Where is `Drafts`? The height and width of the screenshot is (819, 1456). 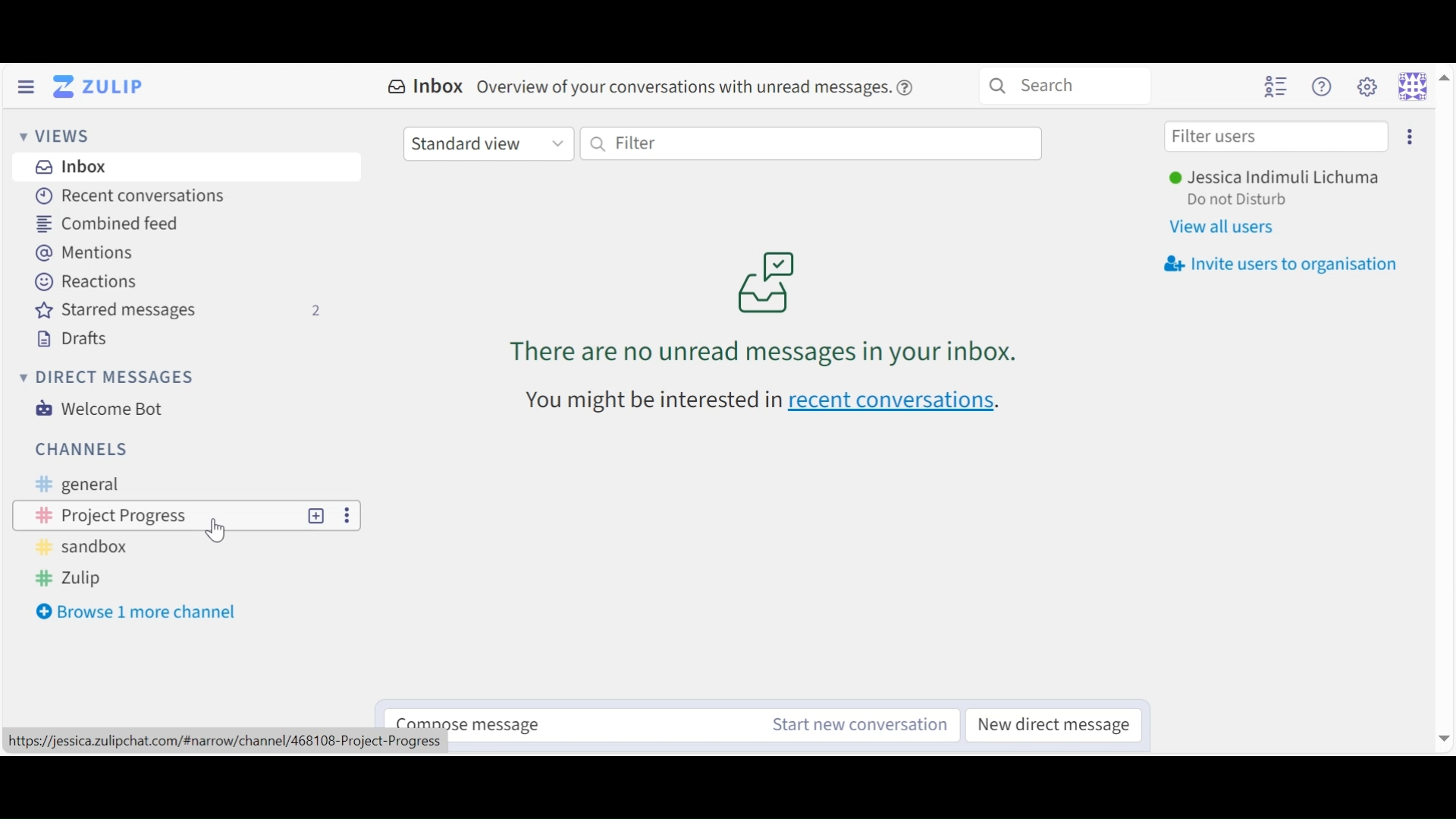 Drafts is located at coordinates (77, 340).